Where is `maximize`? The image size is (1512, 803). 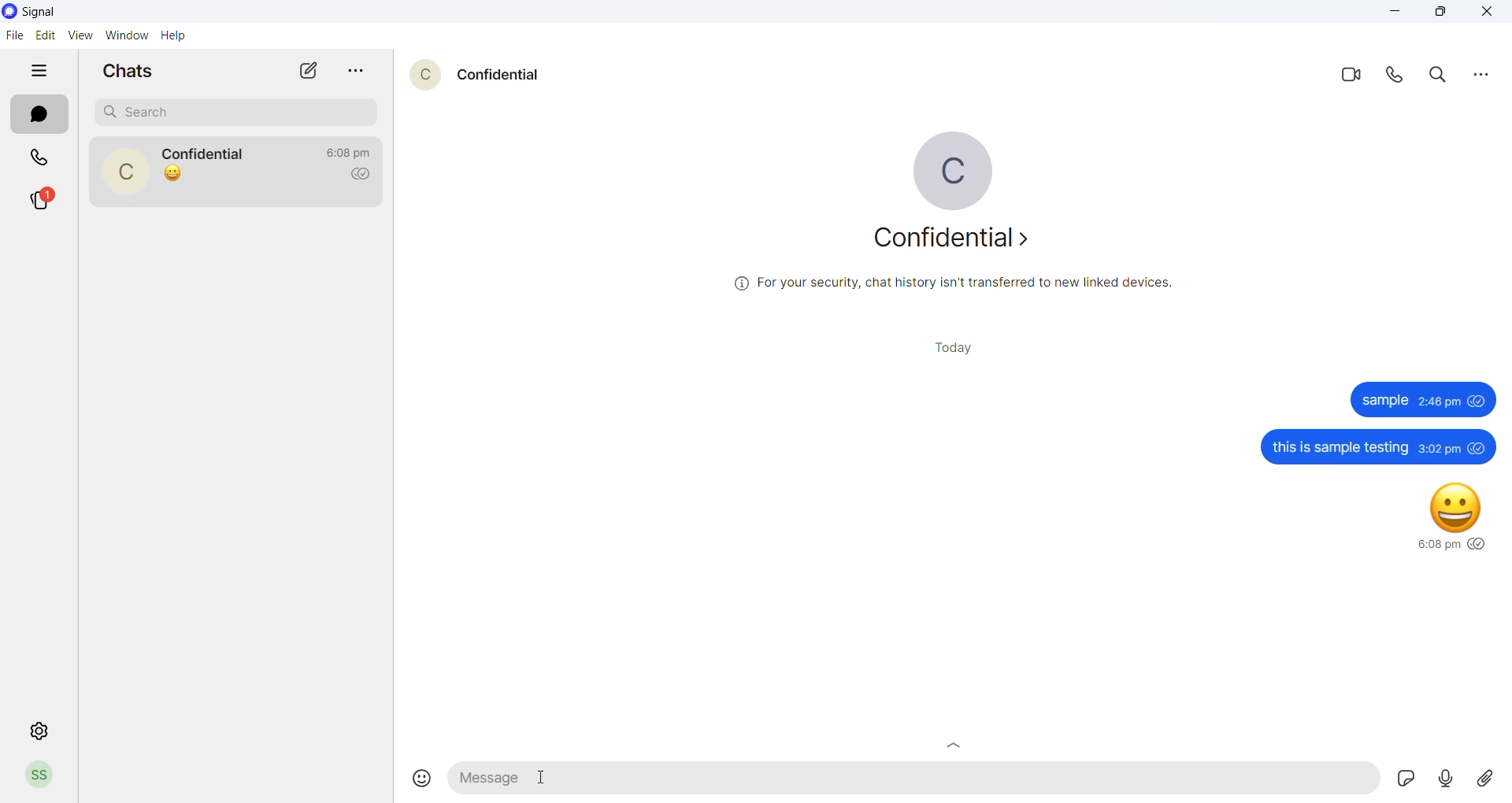 maximize is located at coordinates (1443, 13).